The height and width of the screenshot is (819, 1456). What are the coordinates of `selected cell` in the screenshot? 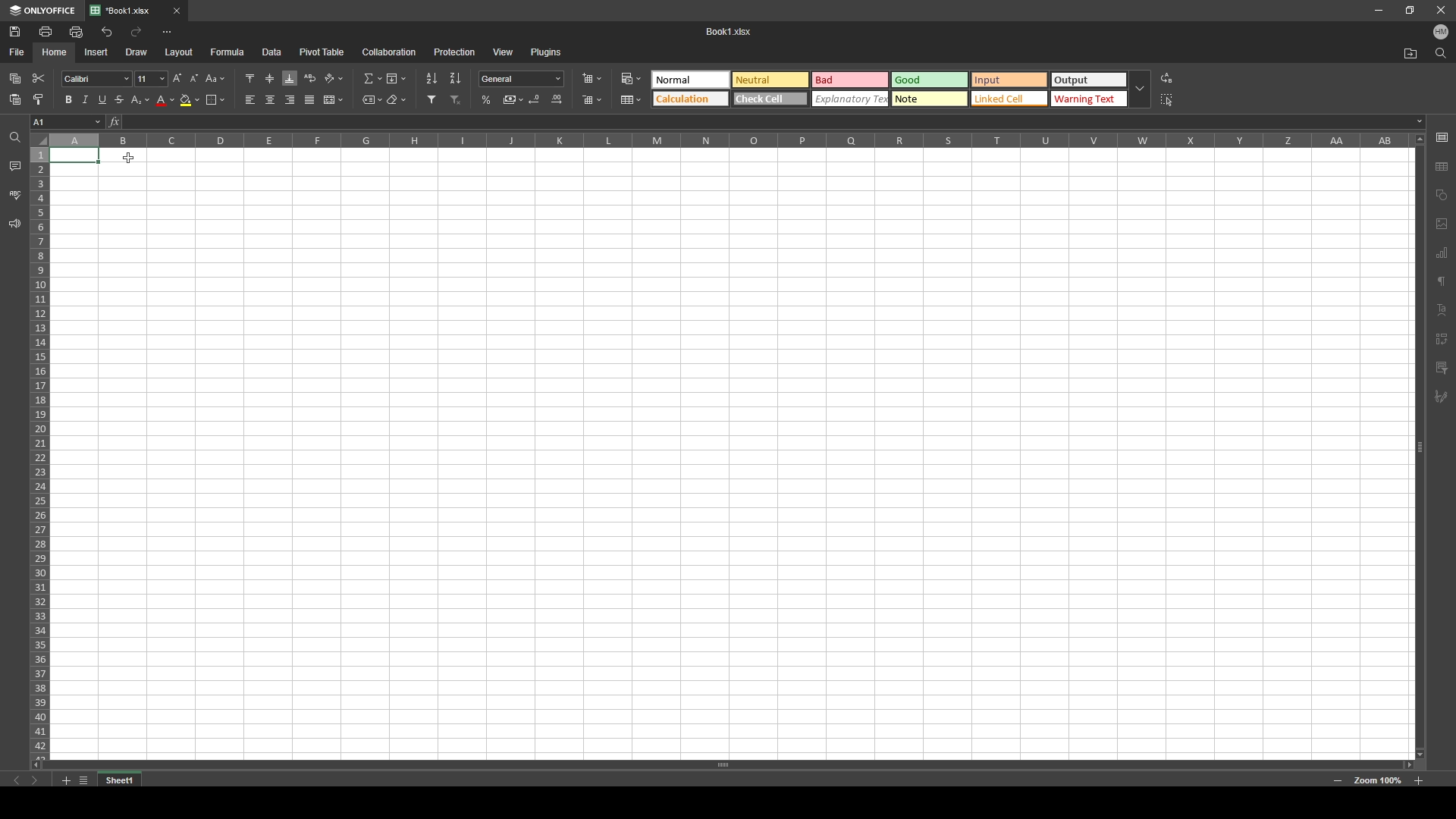 It's located at (67, 122).